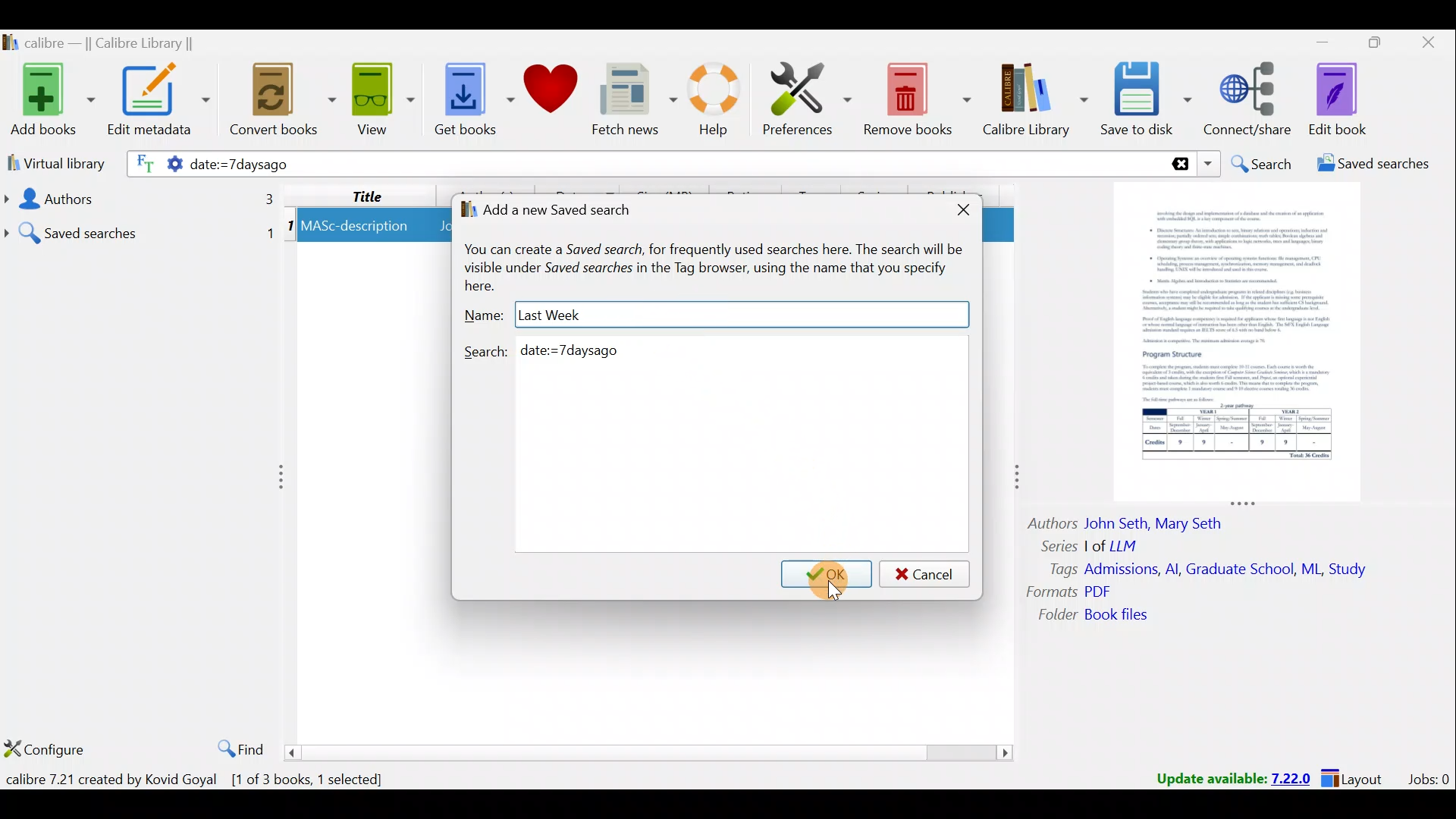 The width and height of the screenshot is (1456, 819). I want to click on Find, so click(237, 746).